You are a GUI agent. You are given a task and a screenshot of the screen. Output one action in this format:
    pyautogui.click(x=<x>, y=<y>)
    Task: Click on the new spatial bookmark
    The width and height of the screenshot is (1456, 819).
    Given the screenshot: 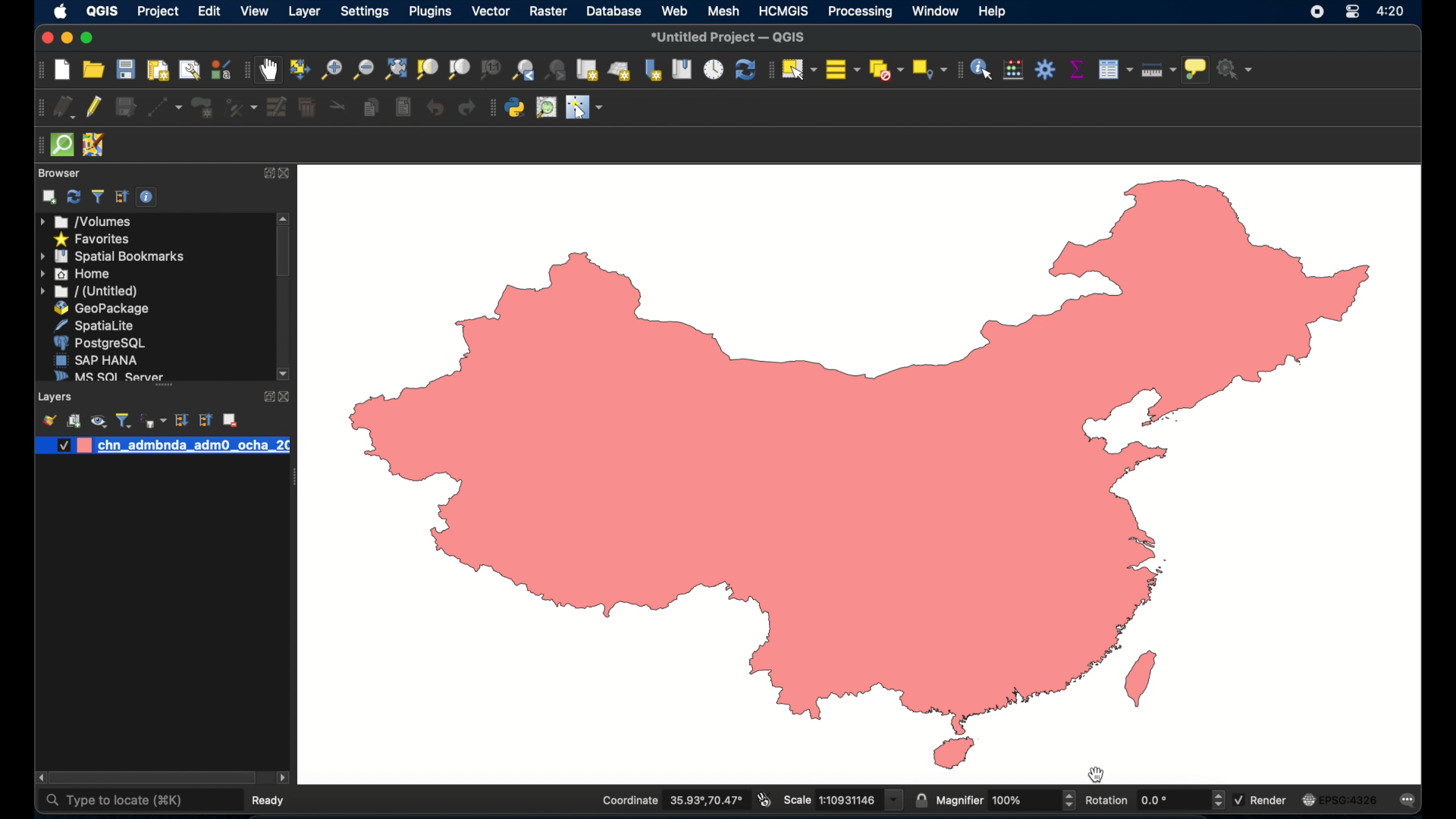 What is the action you would take?
    pyautogui.click(x=654, y=71)
    